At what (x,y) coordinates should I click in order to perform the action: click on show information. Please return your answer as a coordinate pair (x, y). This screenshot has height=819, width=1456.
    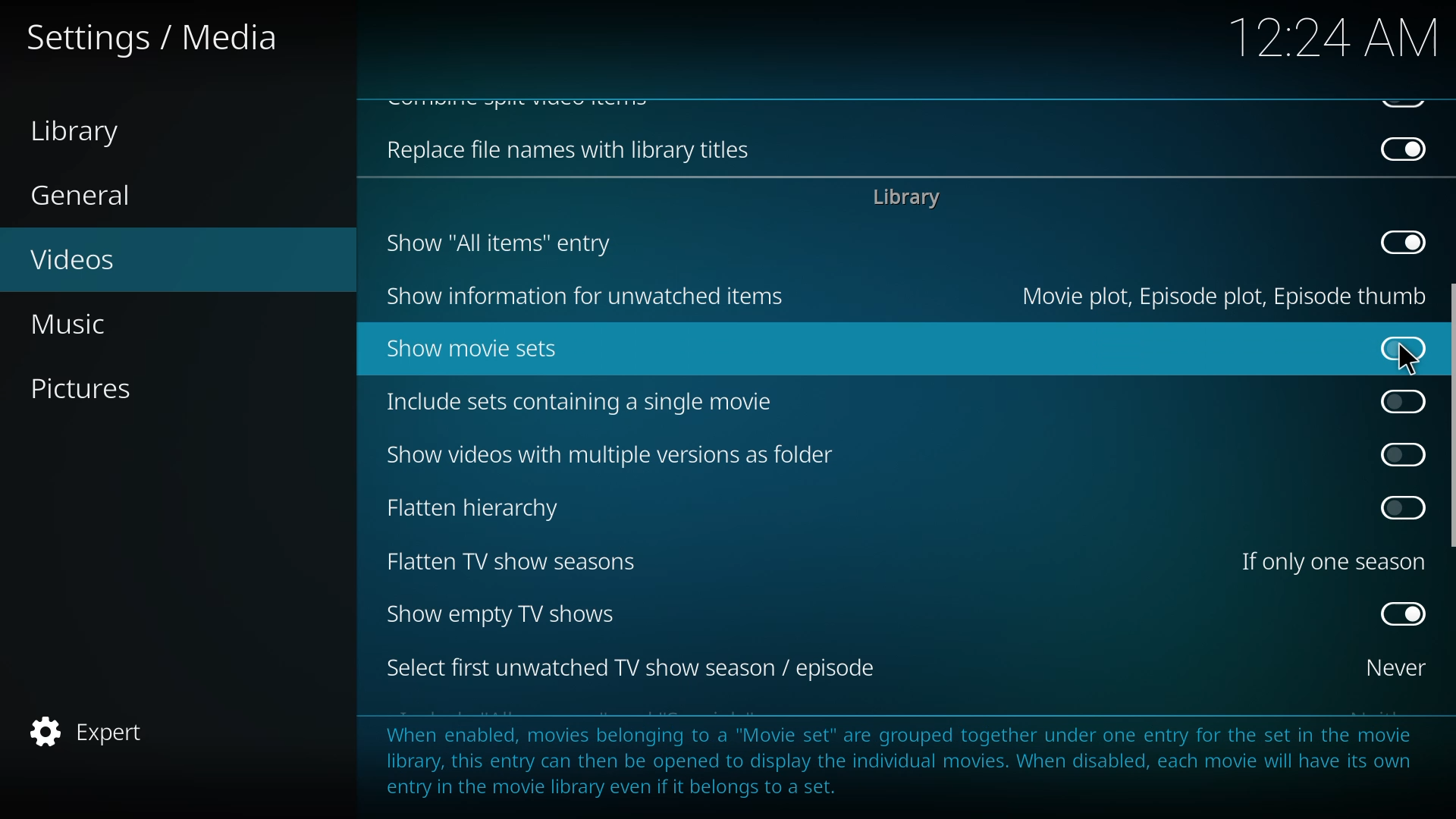
    Looking at the image, I should click on (579, 298).